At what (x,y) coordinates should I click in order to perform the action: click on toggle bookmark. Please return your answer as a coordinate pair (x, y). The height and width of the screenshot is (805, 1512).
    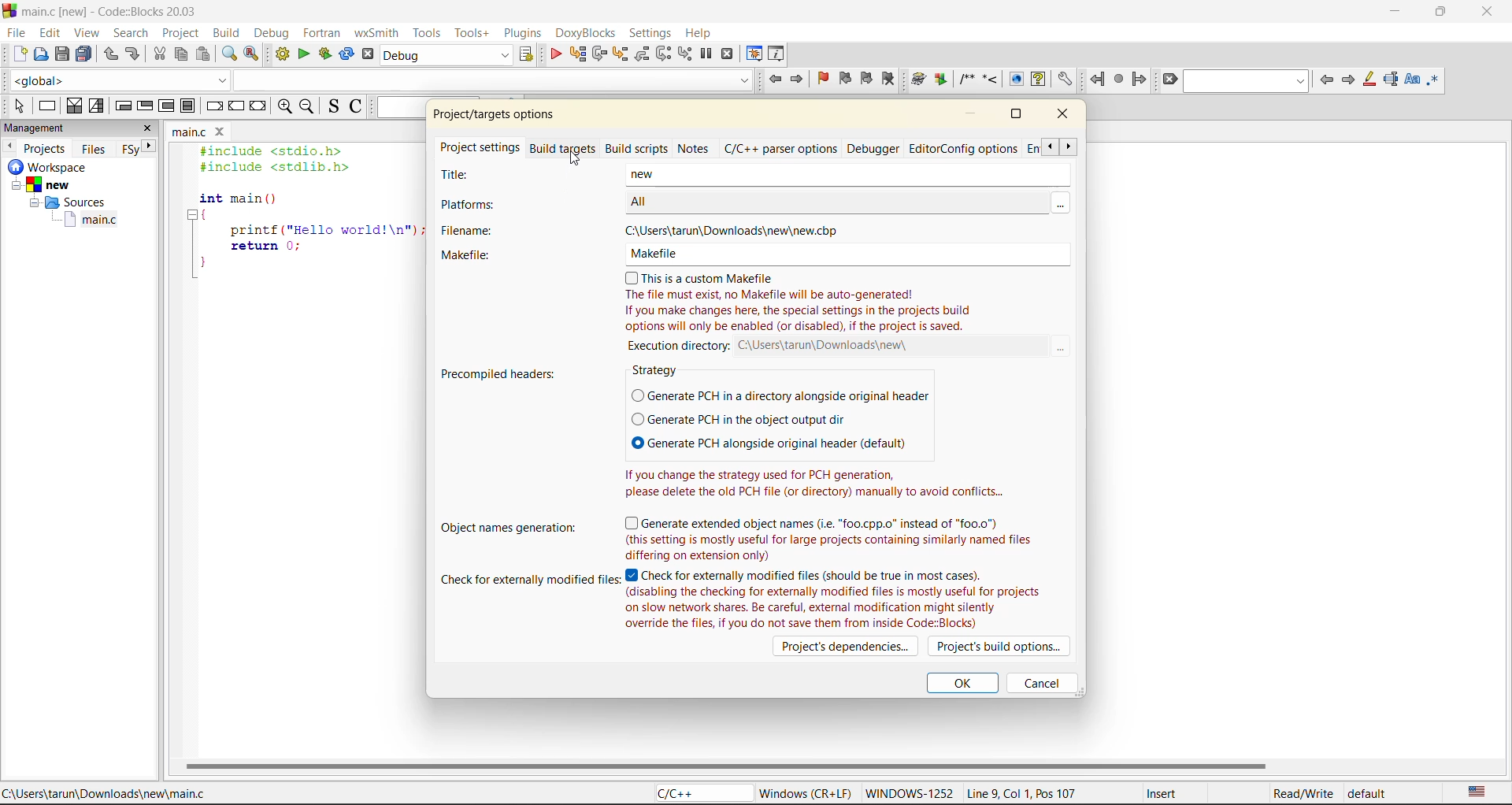
    Looking at the image, I should click on (826, 78).